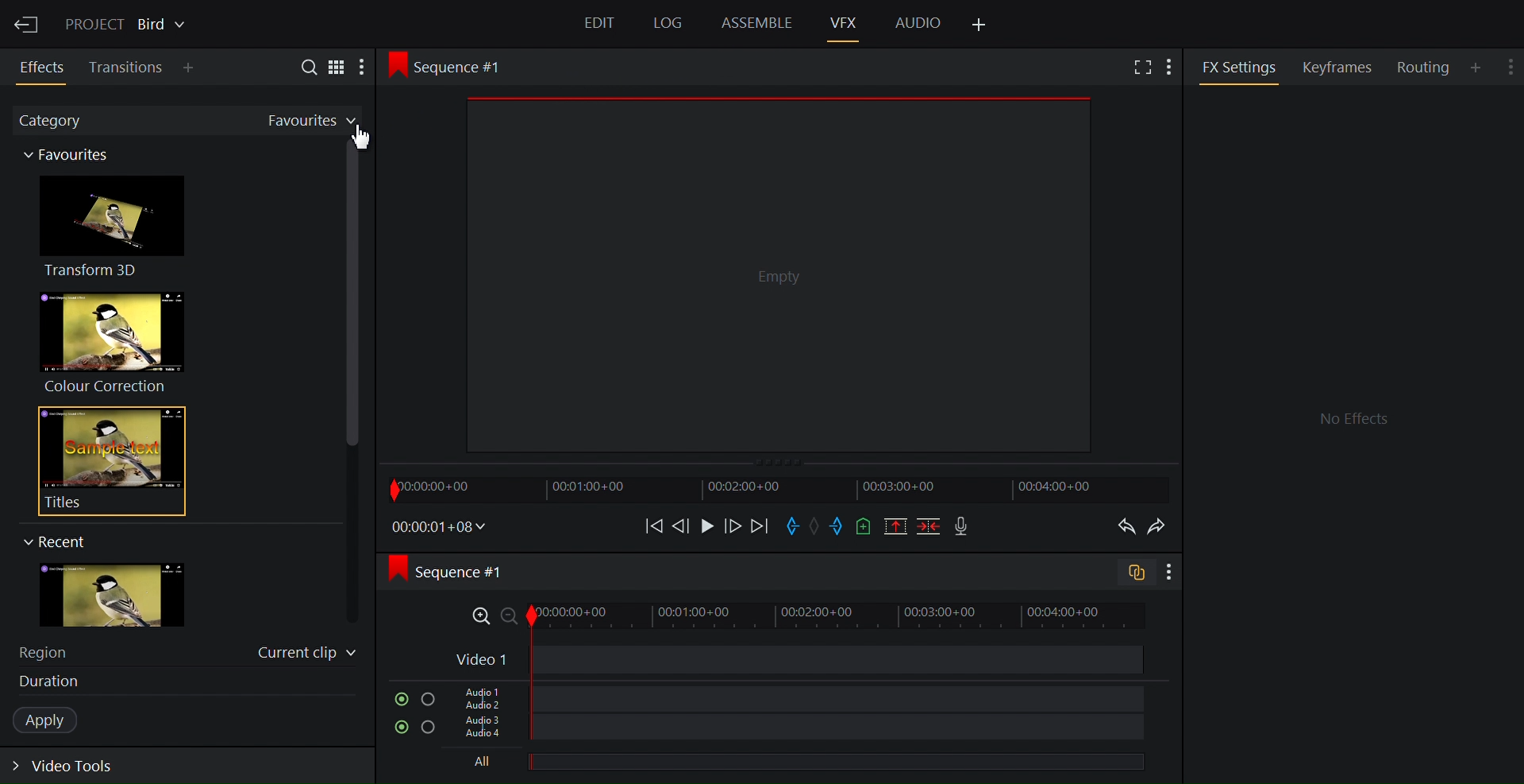 This screenshot has height=784, width=1524. What do you see at coordinates (1173, 65) in the screenshot?
I see `Add Panel` at bounding box center [1173, 65].